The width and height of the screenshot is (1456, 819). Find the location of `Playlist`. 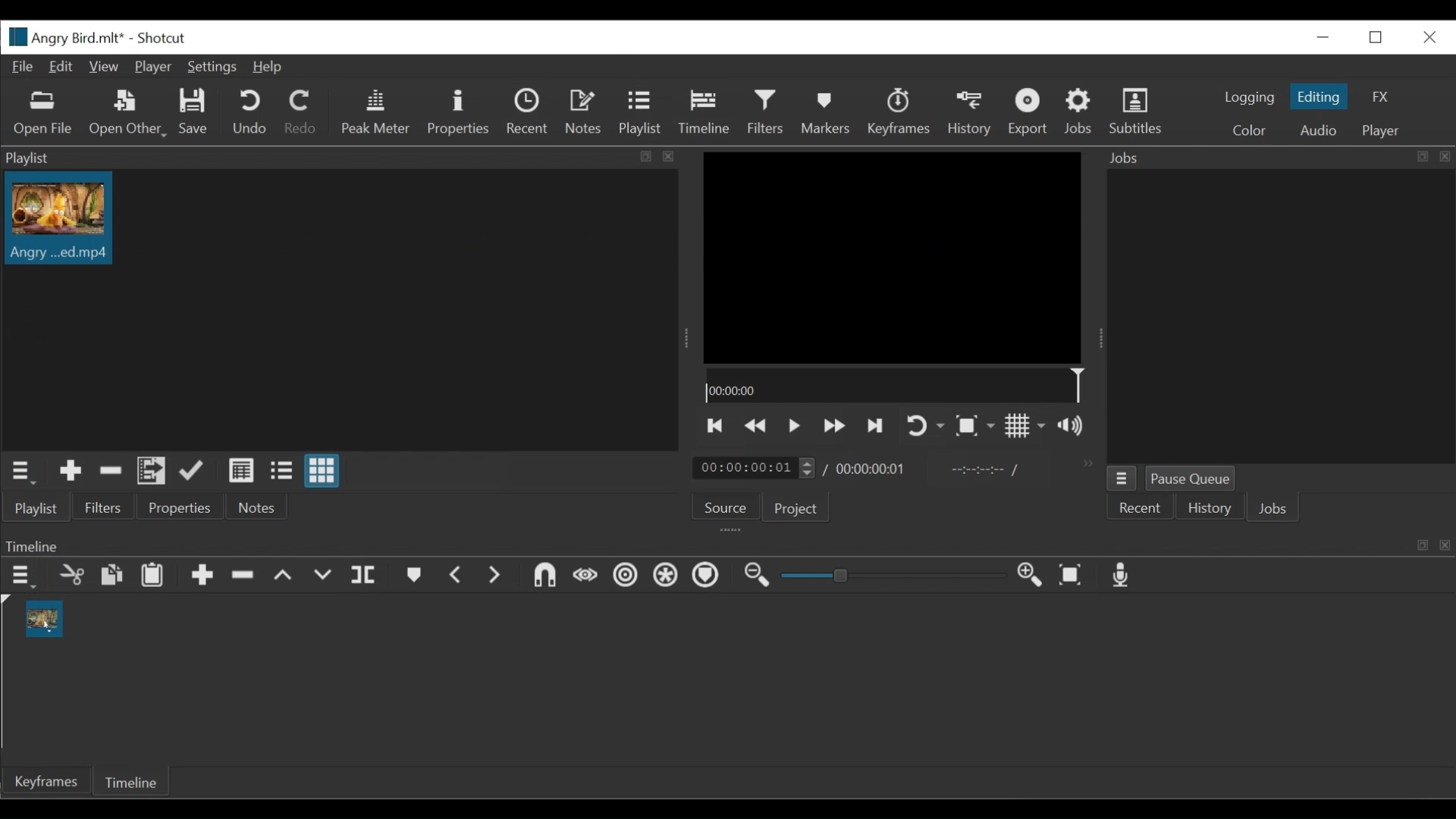

Playlist is located at coordinates (341, 158).